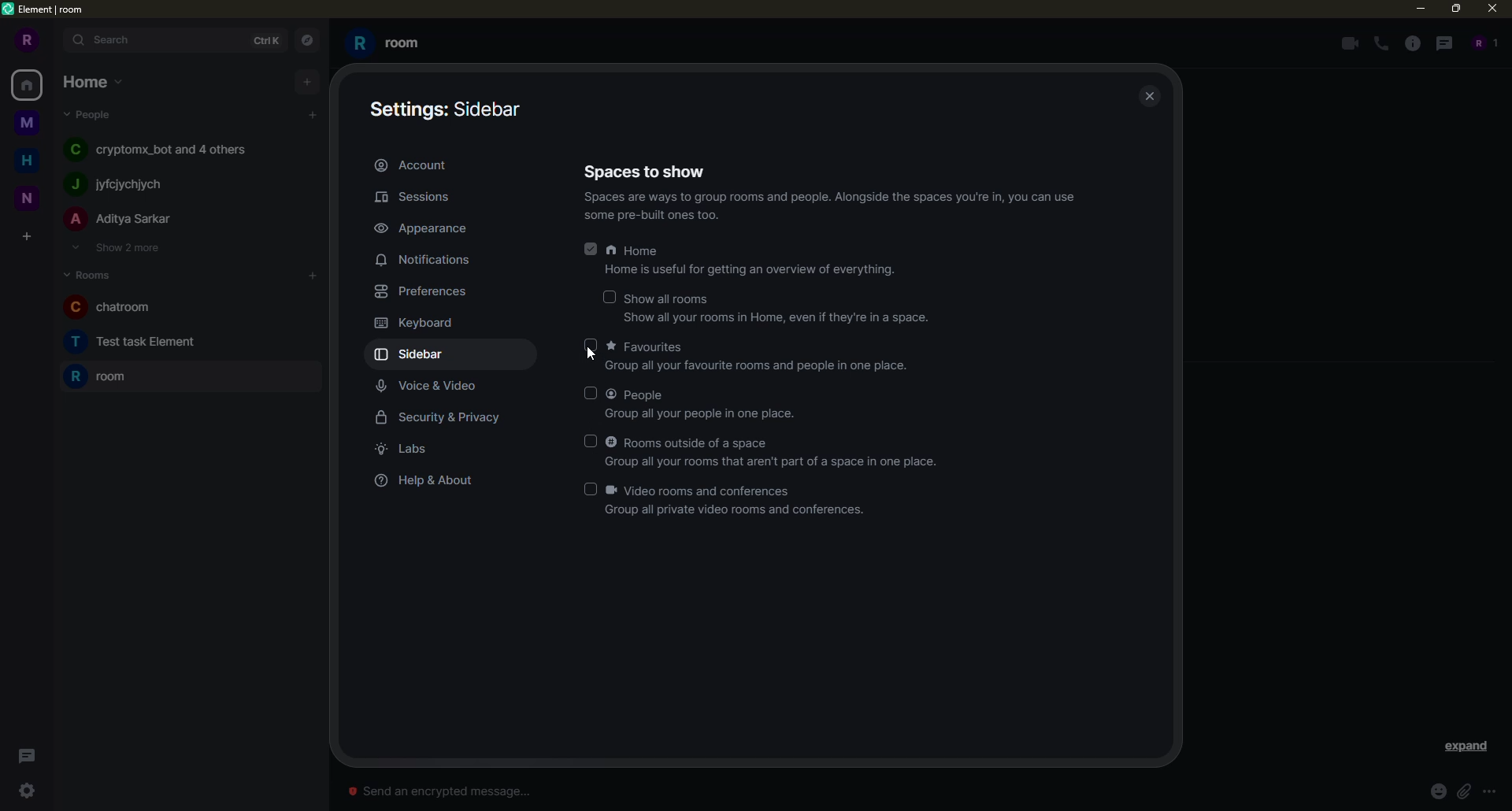 This screenshot has width=1512, height=811. What do you see at coordinates (421, 291) in the screenshot?
I see `preferences` at bounding box center [421, 291].